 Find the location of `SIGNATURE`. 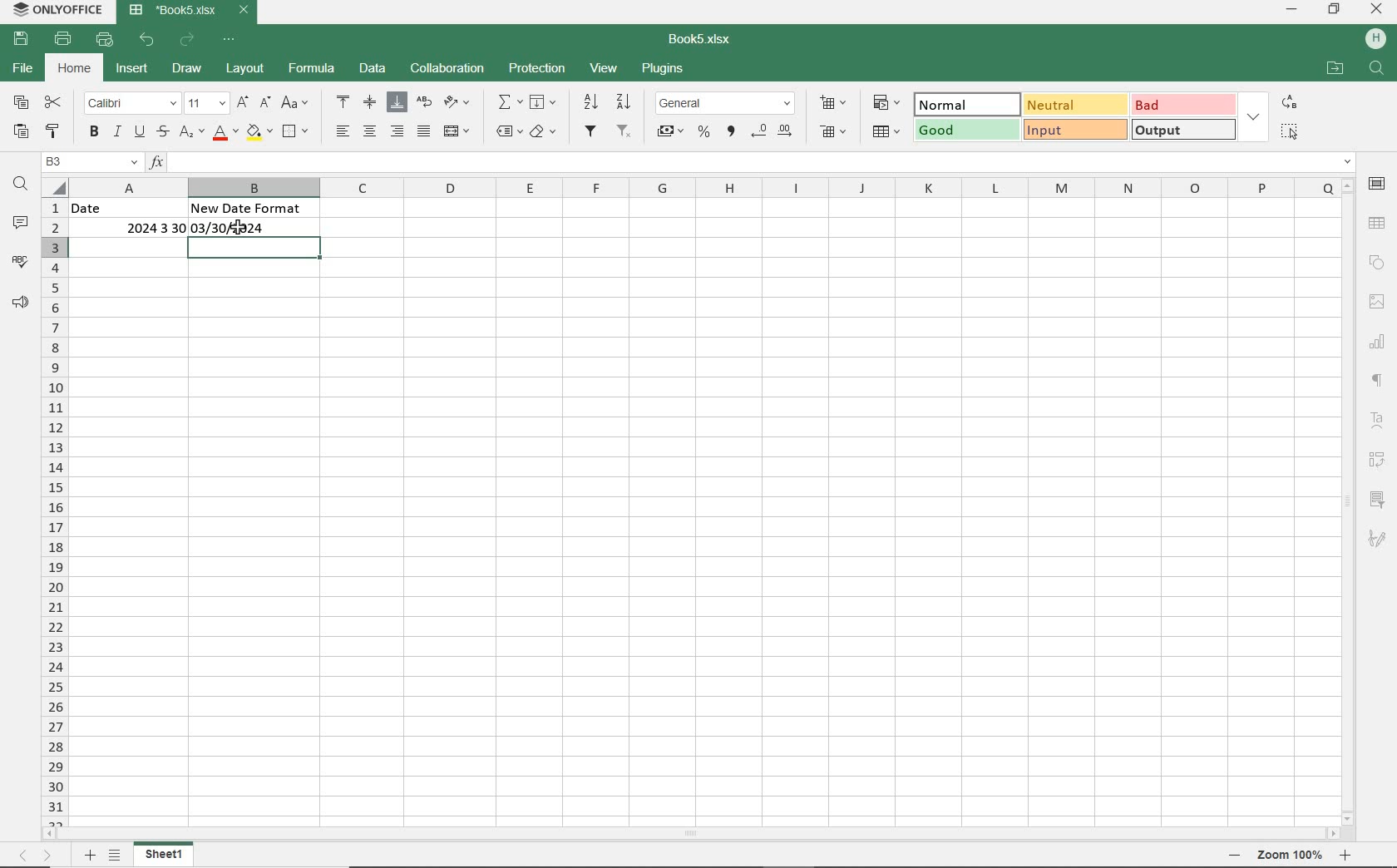

SIGNATURE is located at coordinates (1378, 540).